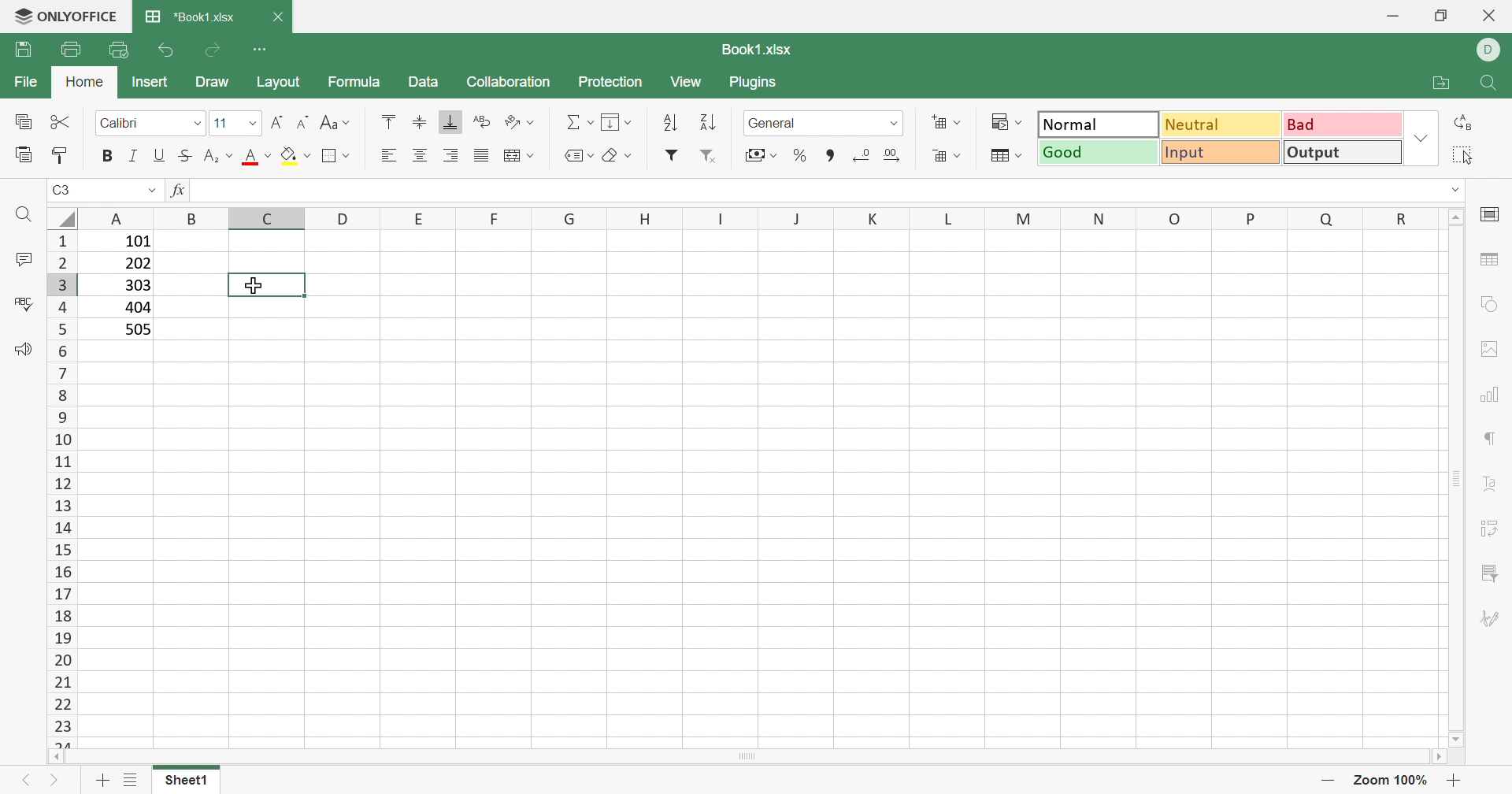 Image resolution: width=1512 pixels, height=794 pixels. I want to click on Normal, so click(1097, 123).